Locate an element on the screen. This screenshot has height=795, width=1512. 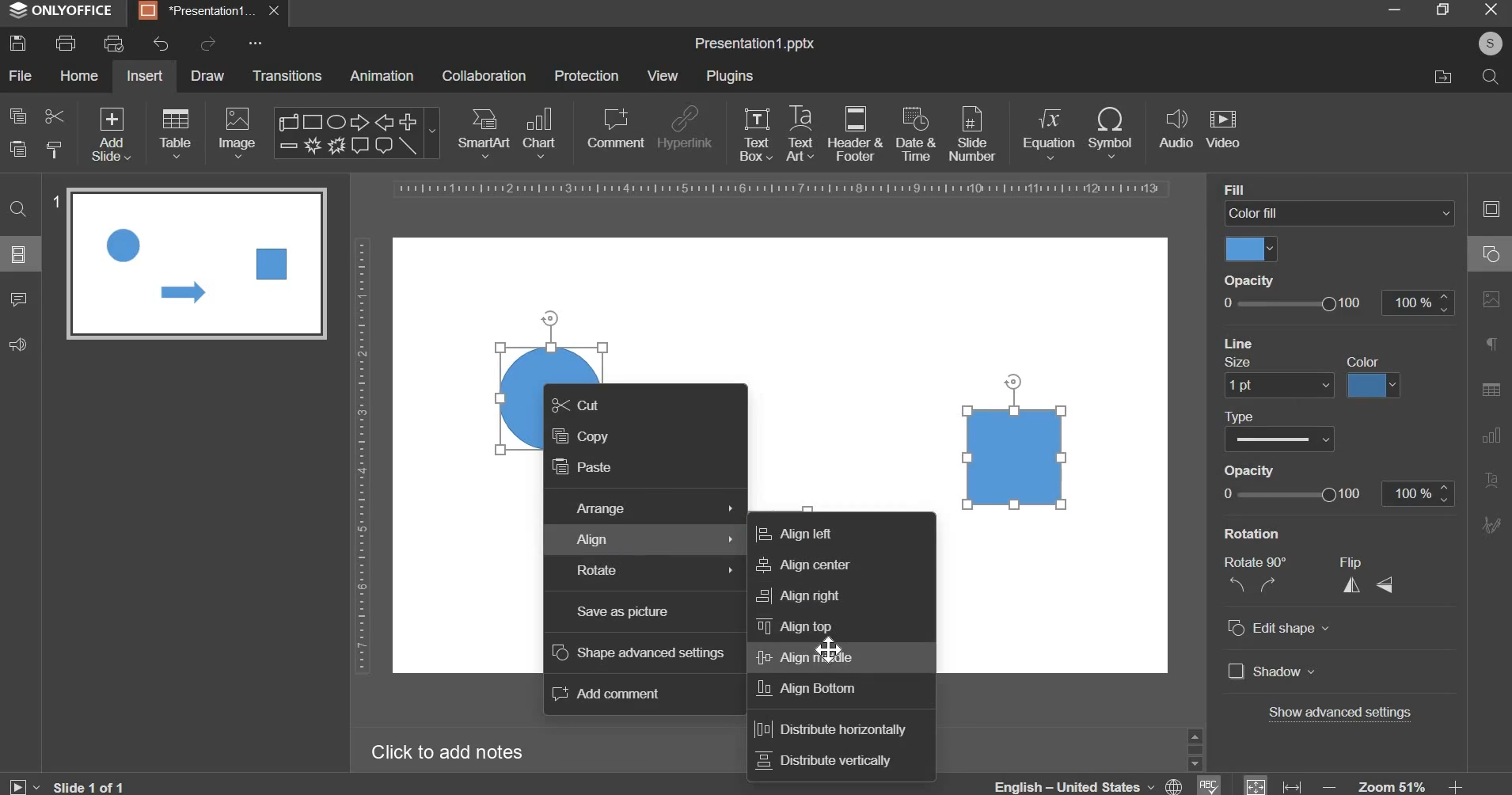
flip horizontal is located at coordinates (1357, 584).